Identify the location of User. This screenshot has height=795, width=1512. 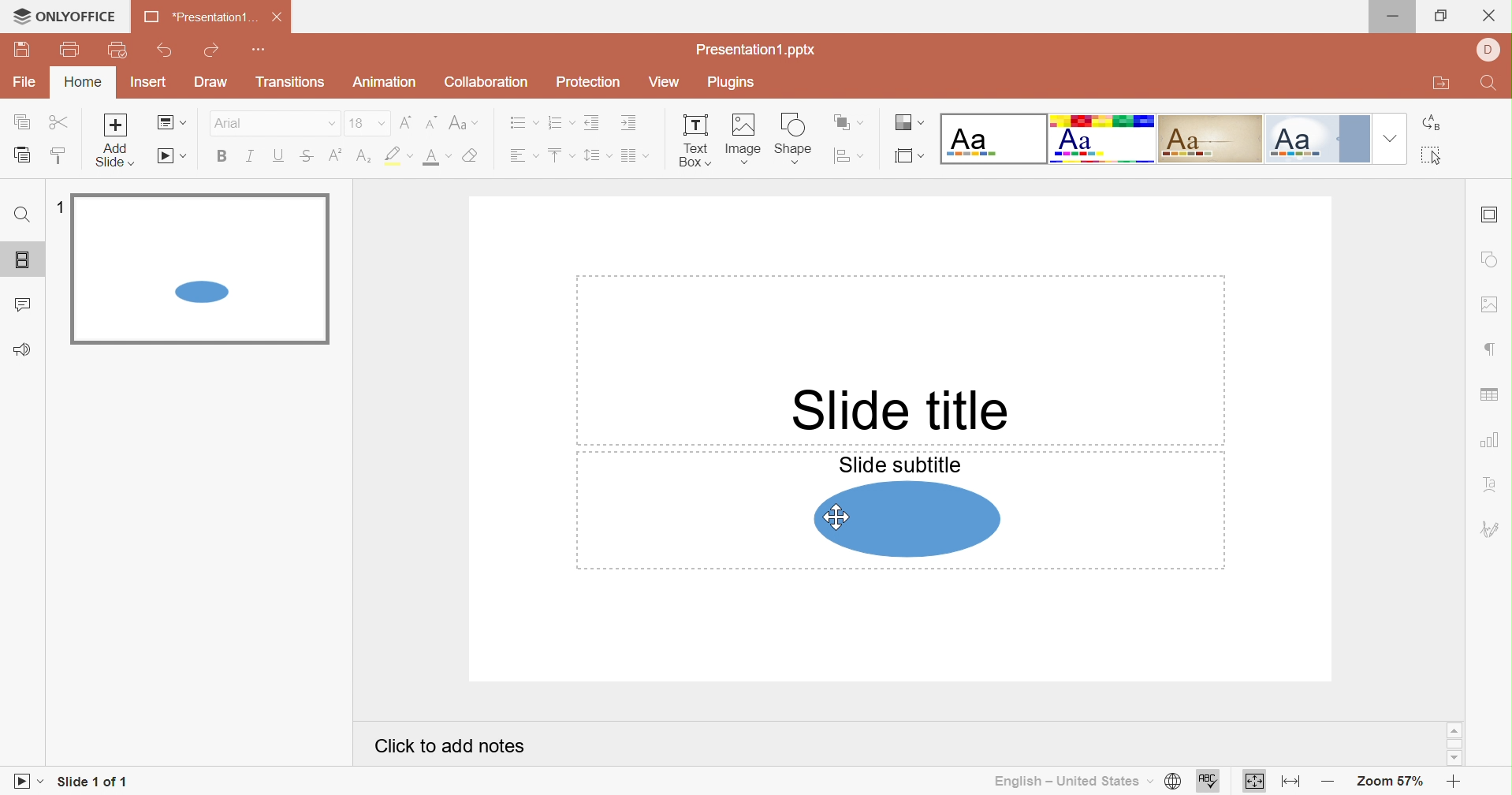
(1487, 50).